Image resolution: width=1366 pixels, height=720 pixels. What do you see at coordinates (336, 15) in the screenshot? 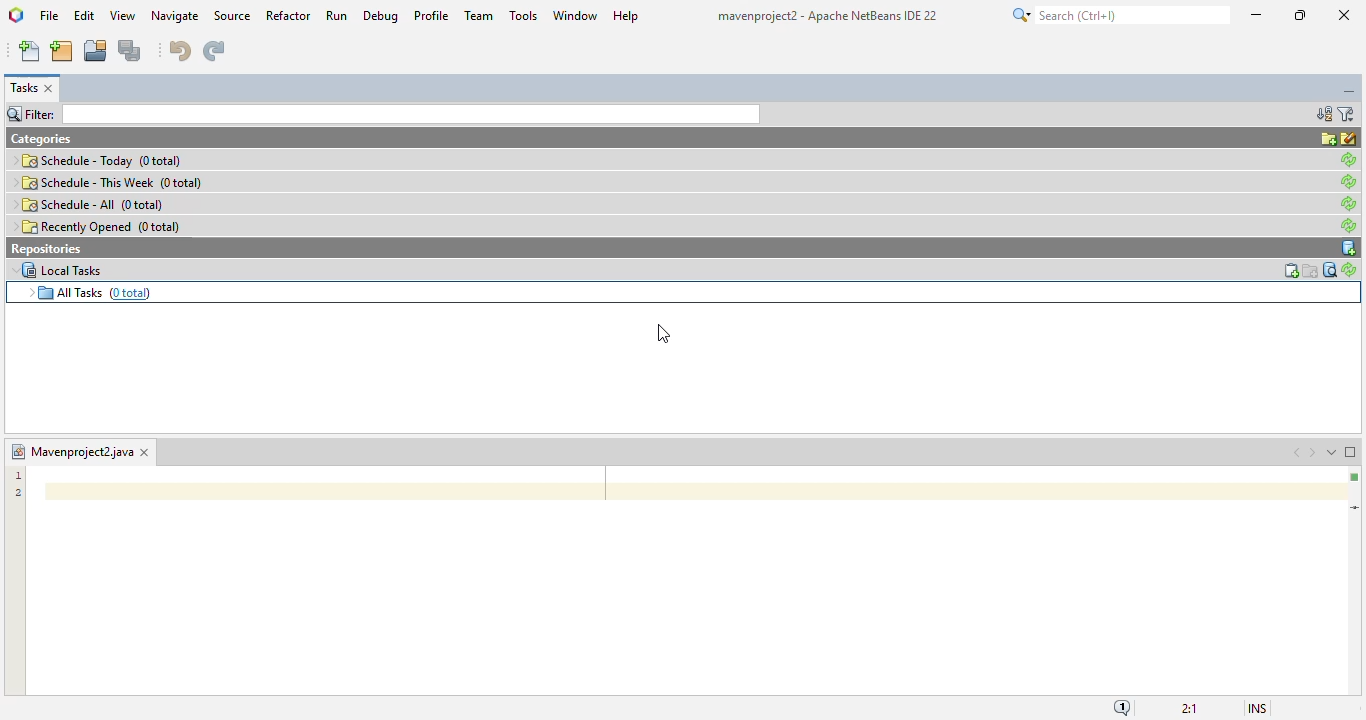
I see `run` at bounding box center [336, 15].